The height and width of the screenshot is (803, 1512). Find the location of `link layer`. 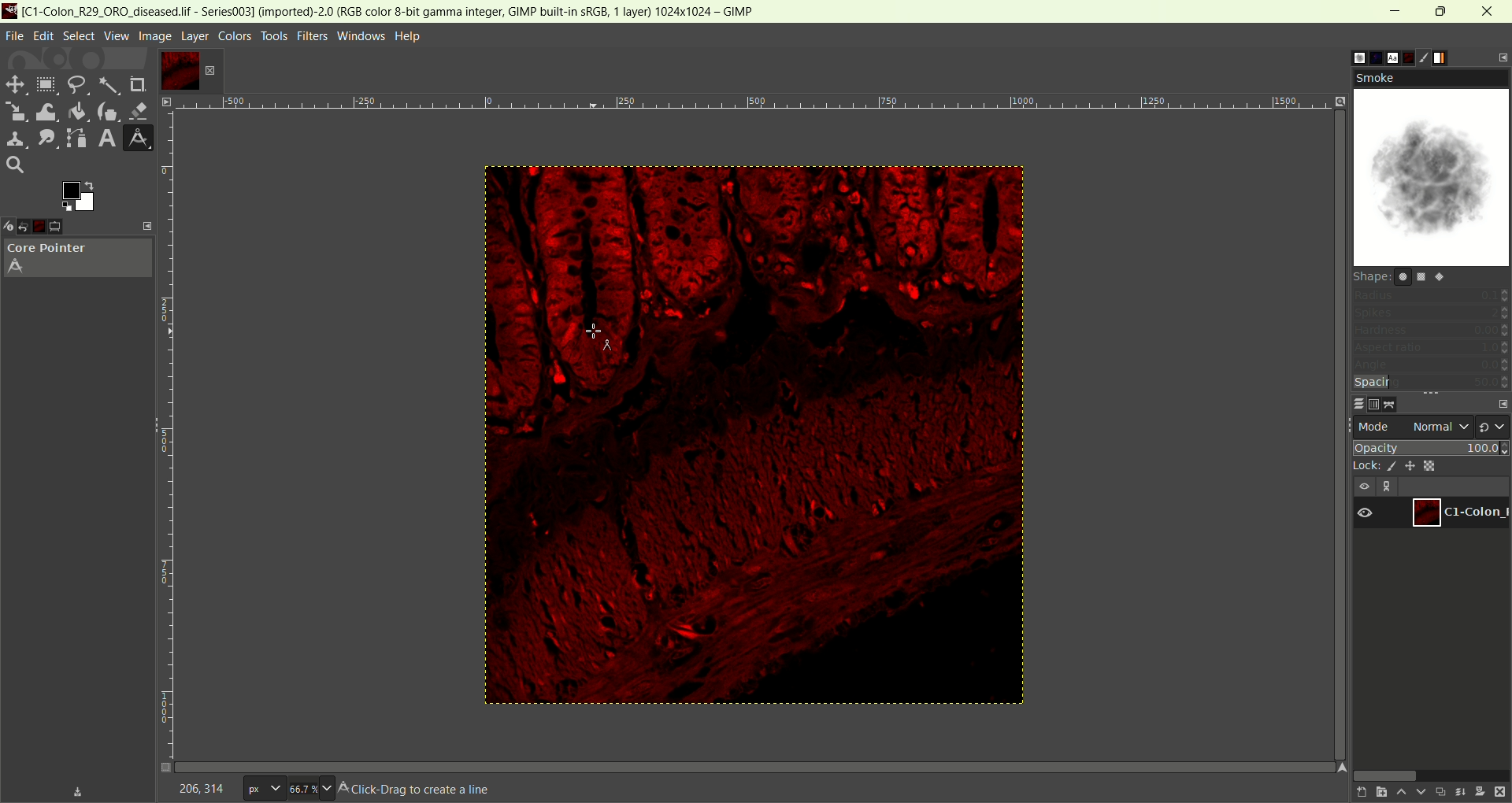

link layer is located at coordinates (1388, 487).